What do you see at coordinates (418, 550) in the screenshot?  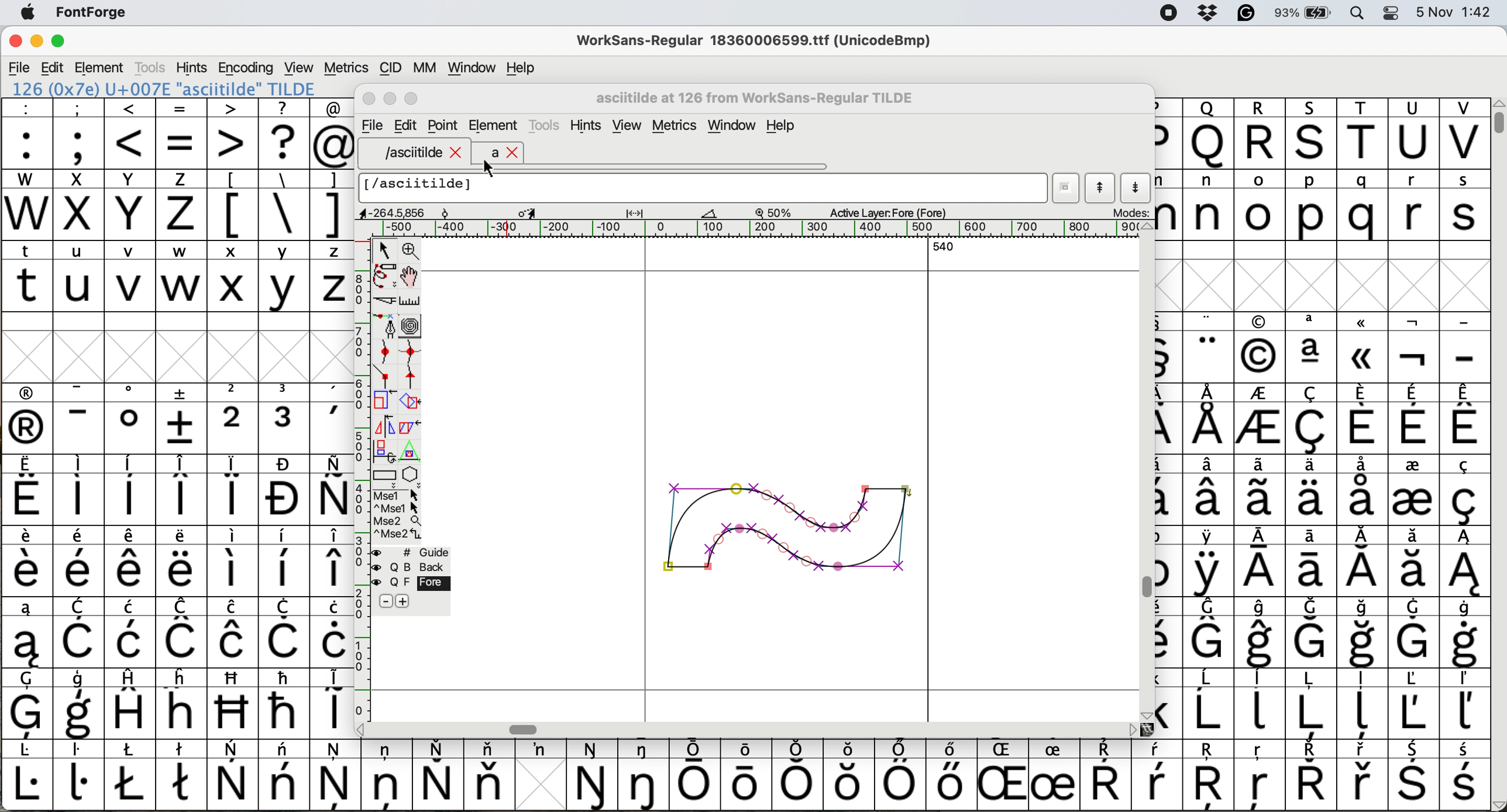 I see `guide` at bounding box center [418, 550].